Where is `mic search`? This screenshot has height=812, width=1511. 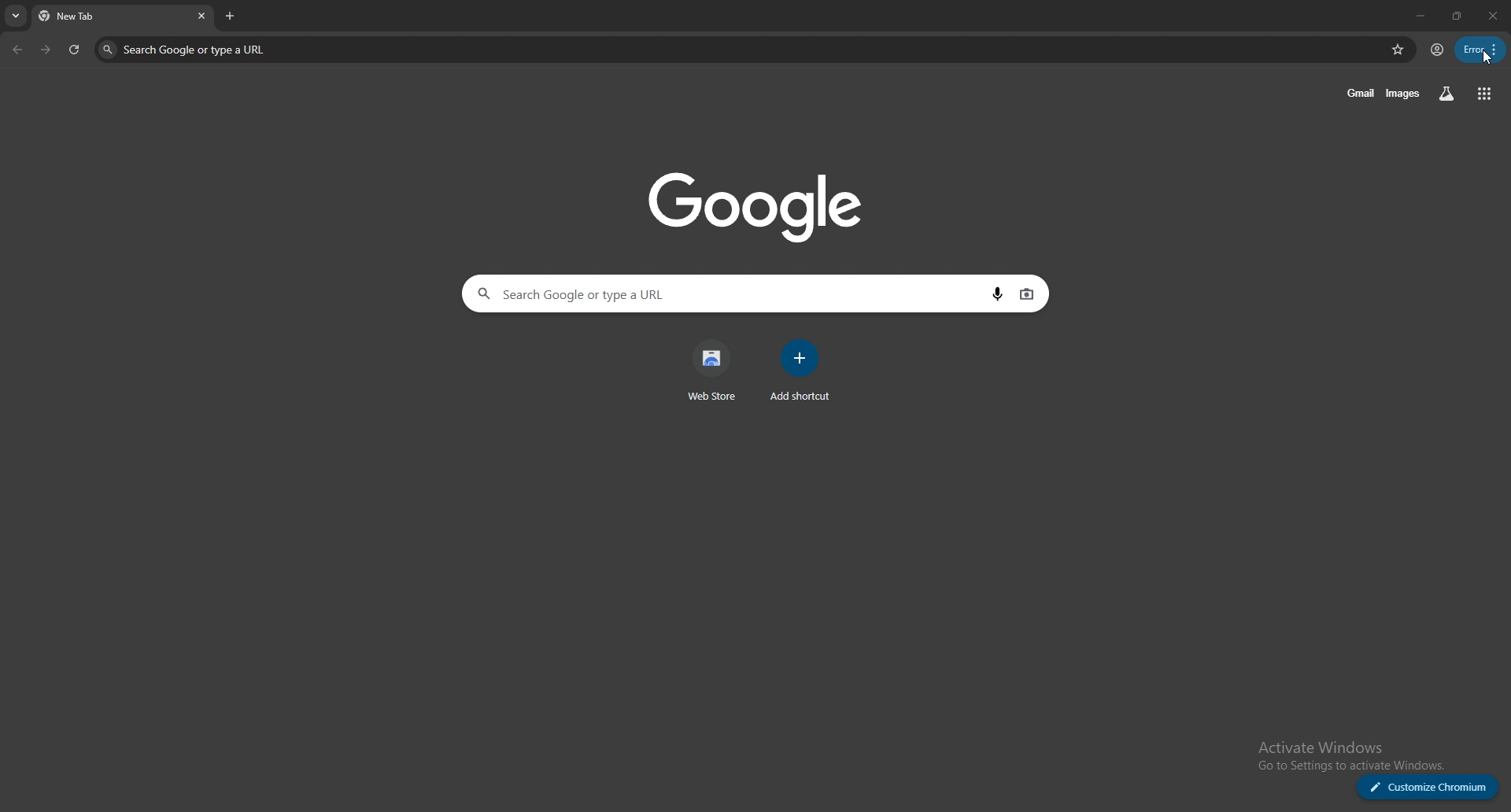 mic search is located at coordinates (995, 293).